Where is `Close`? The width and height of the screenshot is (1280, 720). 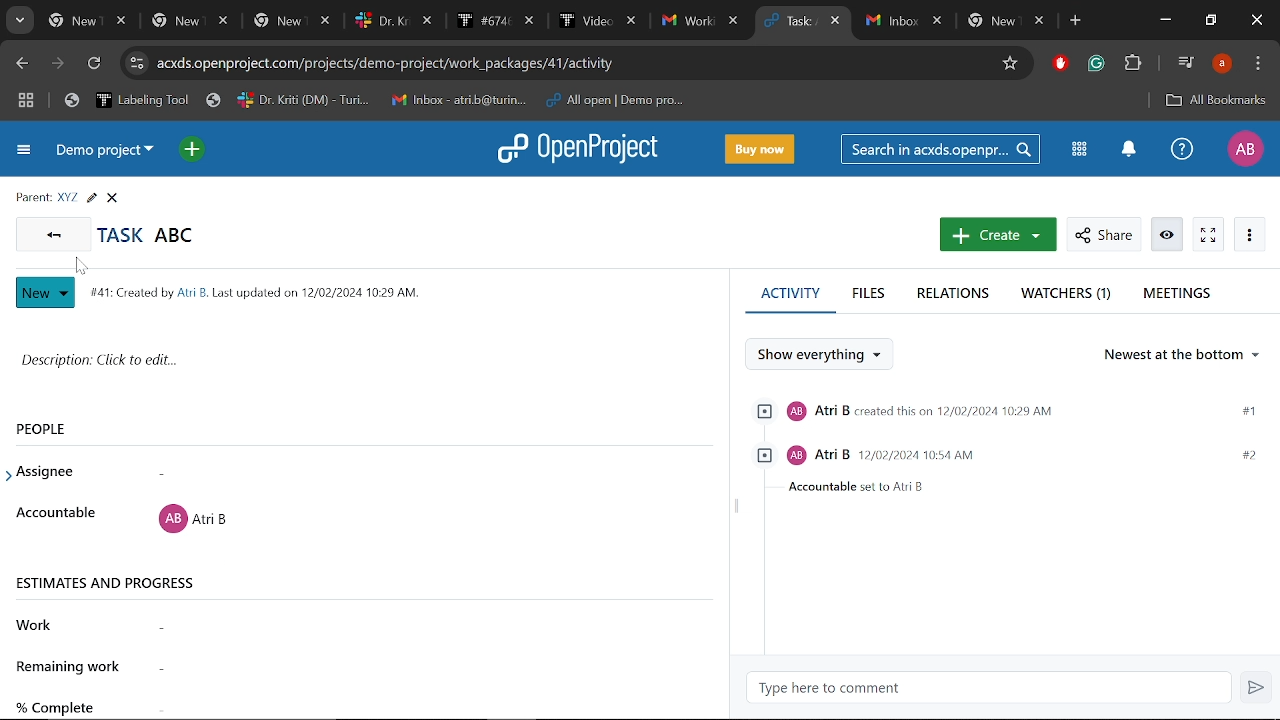
Close is located at coordinates (1256, 20).